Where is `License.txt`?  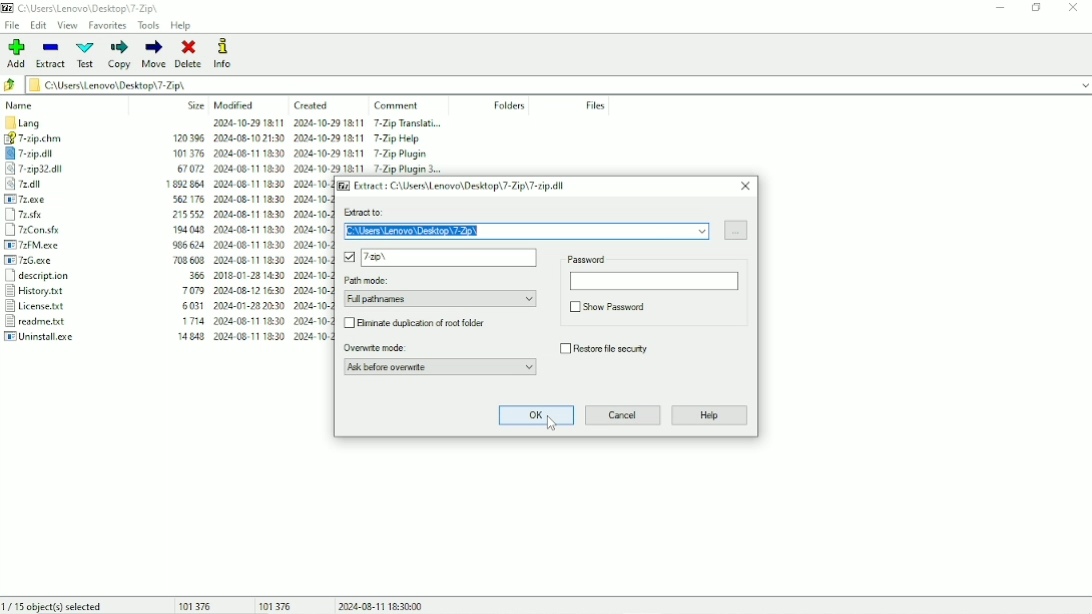
License.txt is located at coordinates (58, 307).